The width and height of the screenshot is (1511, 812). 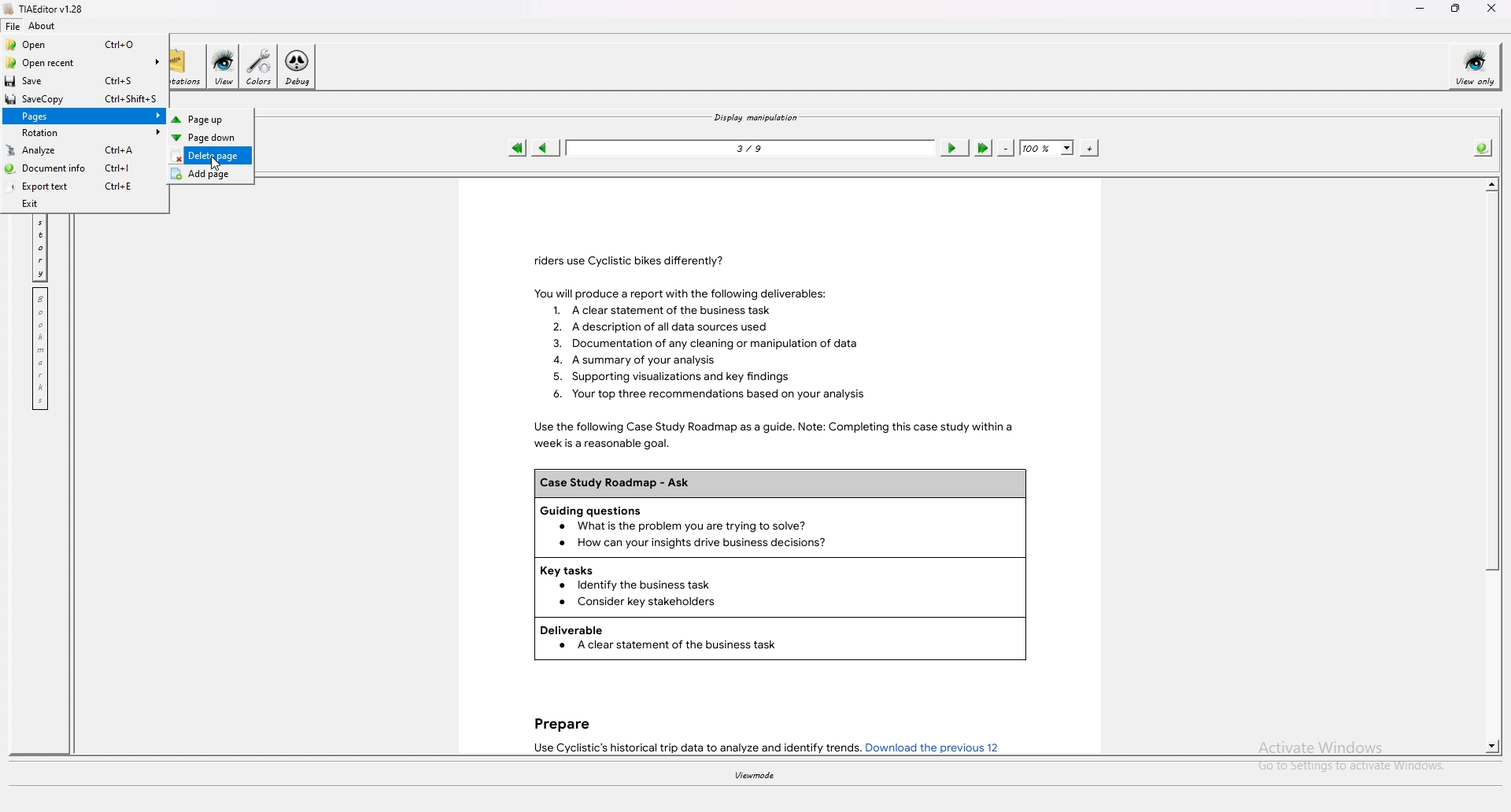 I want to click on 3/9, so click(x=751, y=147).